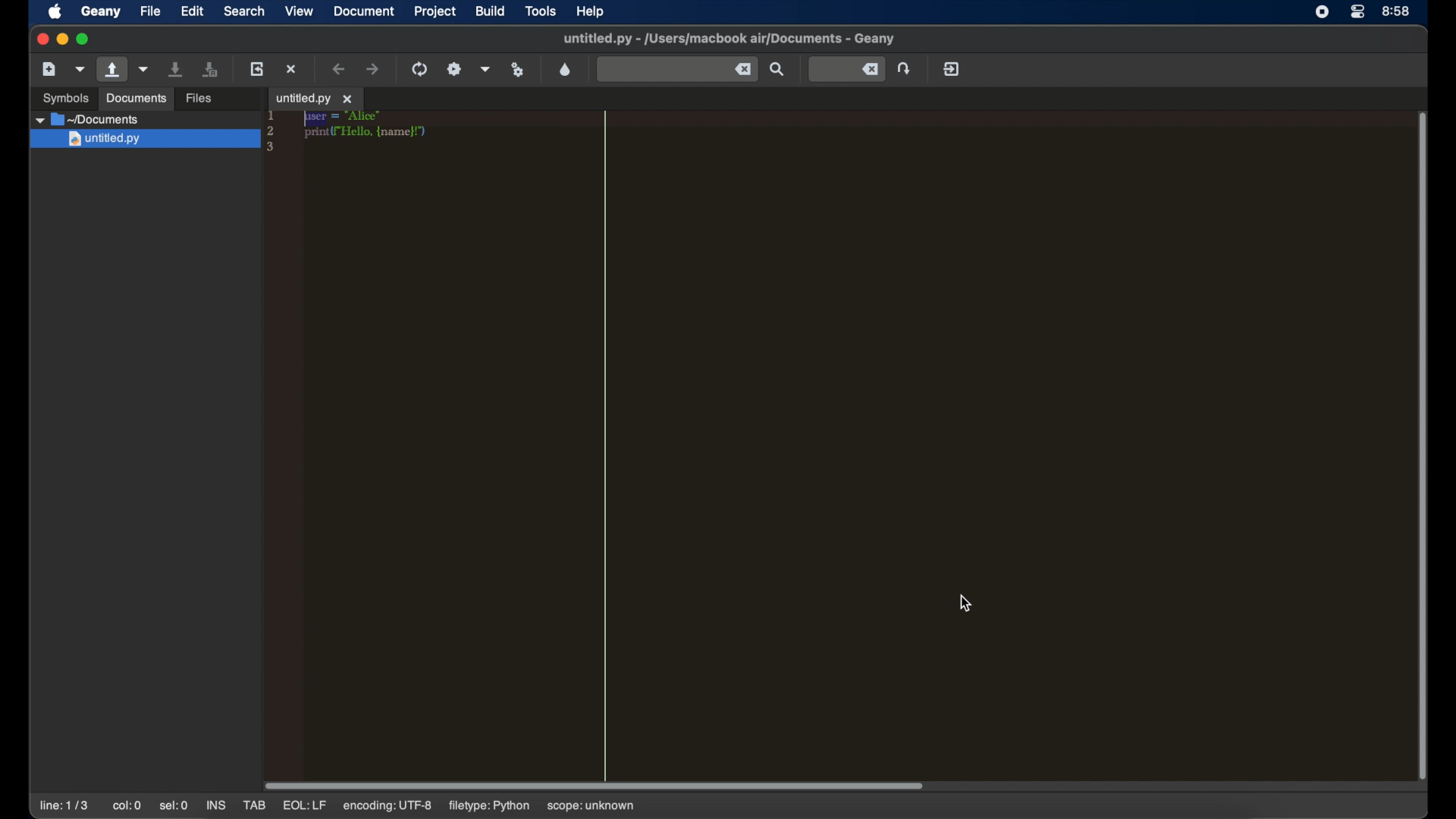 This screenshot has width=1456, height=819. What do you see at coordinates (365, 11) in the screenshot?
I see `document` at bounding box center [365, 11].